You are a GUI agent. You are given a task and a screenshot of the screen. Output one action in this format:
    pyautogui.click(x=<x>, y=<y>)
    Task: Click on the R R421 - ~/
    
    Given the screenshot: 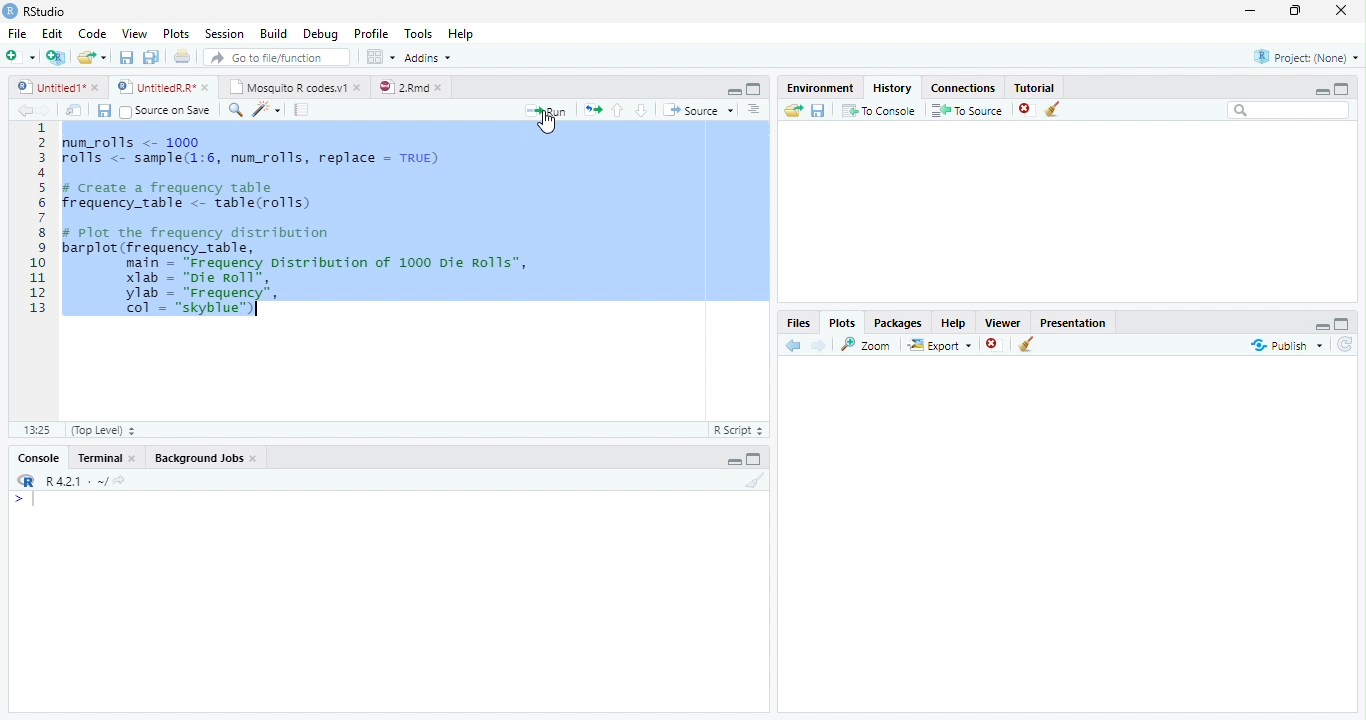 What is the action you would take?
    pyautogui.click(x=69, y=481)
    